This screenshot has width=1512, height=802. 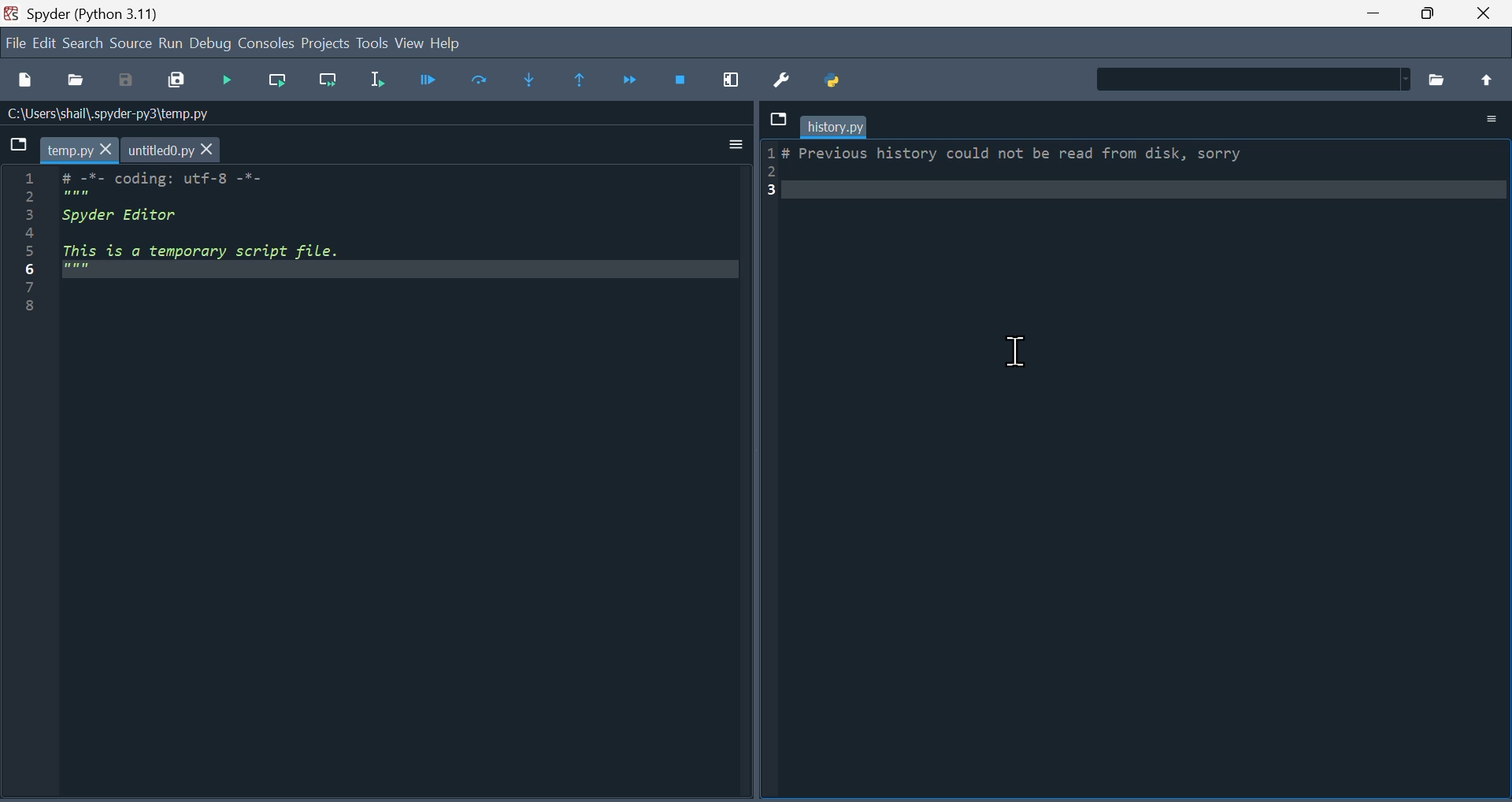 I want to click on New file, so click(x=28, y=81).